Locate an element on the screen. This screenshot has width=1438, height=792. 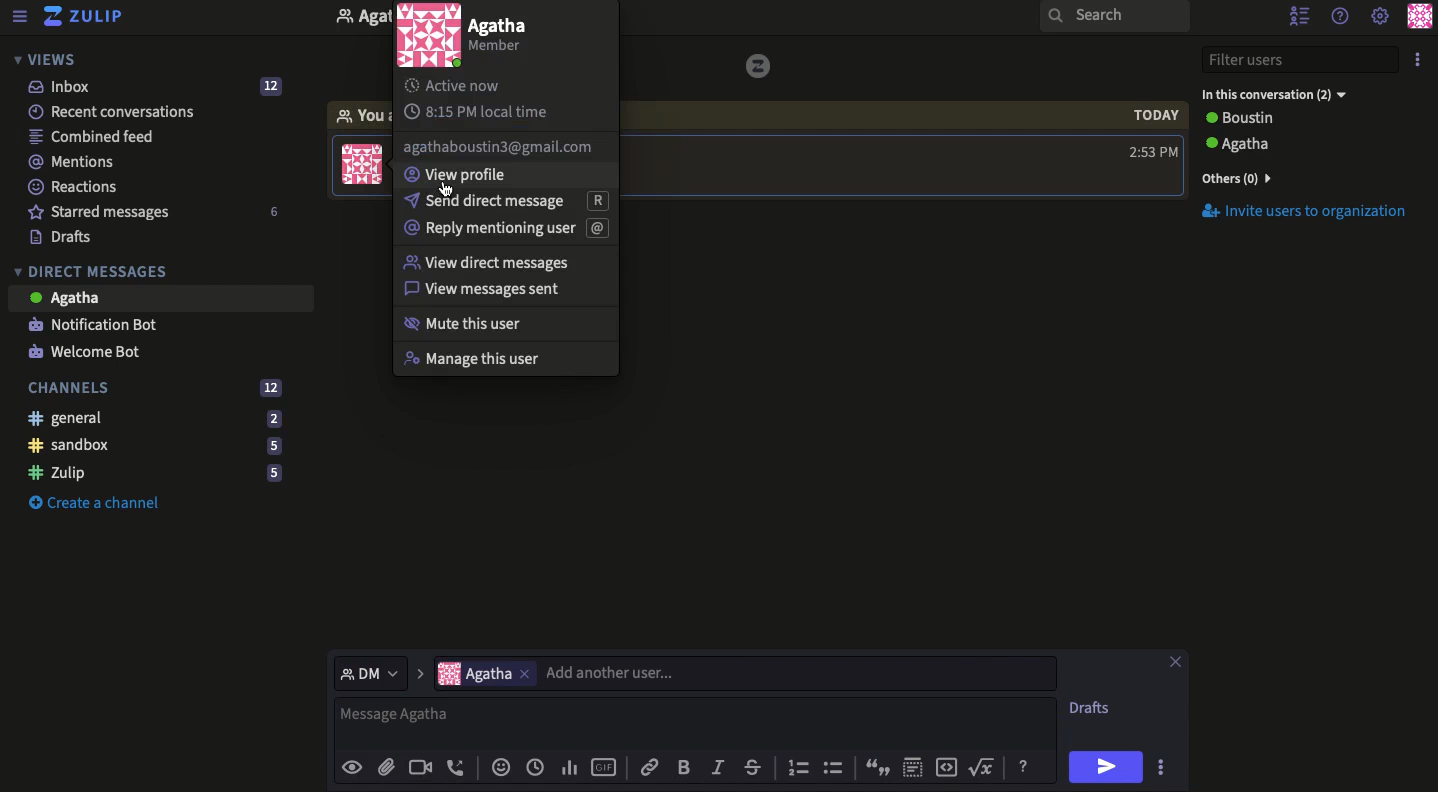
cursor is located at coordinates (446, 190).